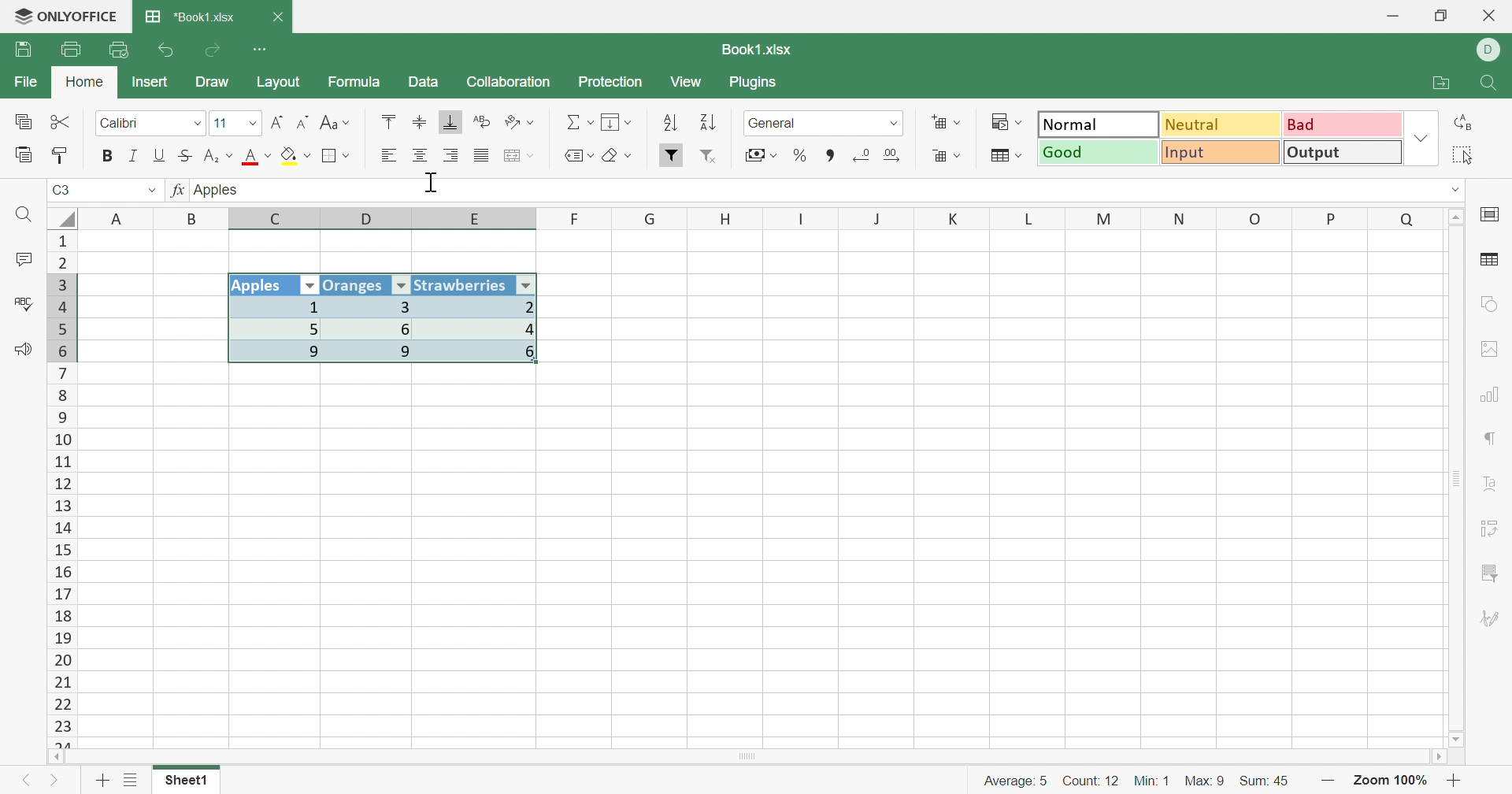 The height and width of the screenshot is (794, 1512). What do you see at coordinates (1446, 188) in the screenshot?
I see `drop down ` at bounding box center [1446, 188].